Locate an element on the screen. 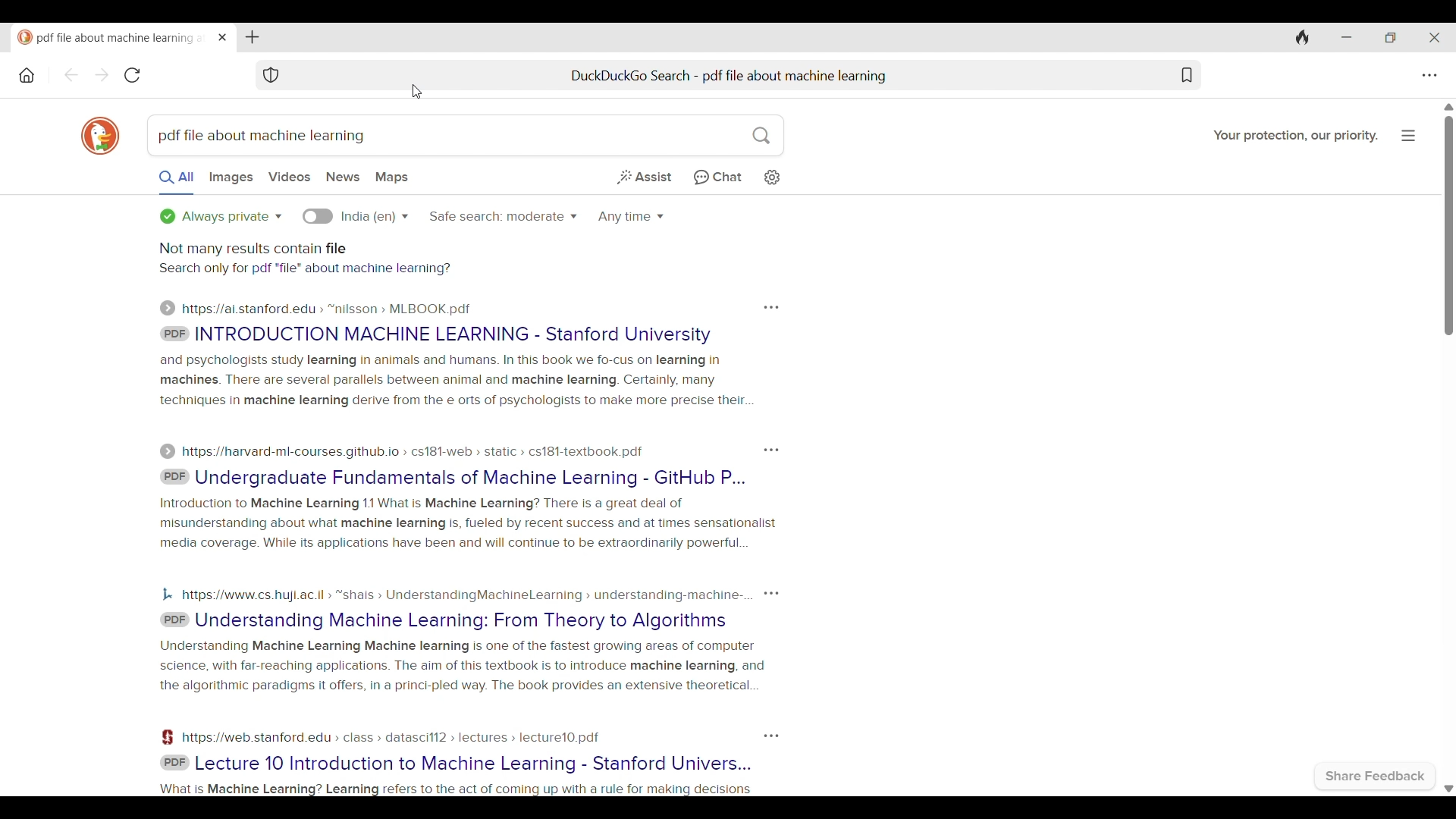 Image resolution: width=1456 pixels, height=819 pixels. Understanding Machine Learning Machine learning is one of the fastest growing areas of computerscience, with far-reaching applications. The aim of this textbook is to introduce machine learning, andthe algorithmic paradigms it offers, in a princi-pled way. The book provides an extensive theoretical... is located at coordinates (465, 667).